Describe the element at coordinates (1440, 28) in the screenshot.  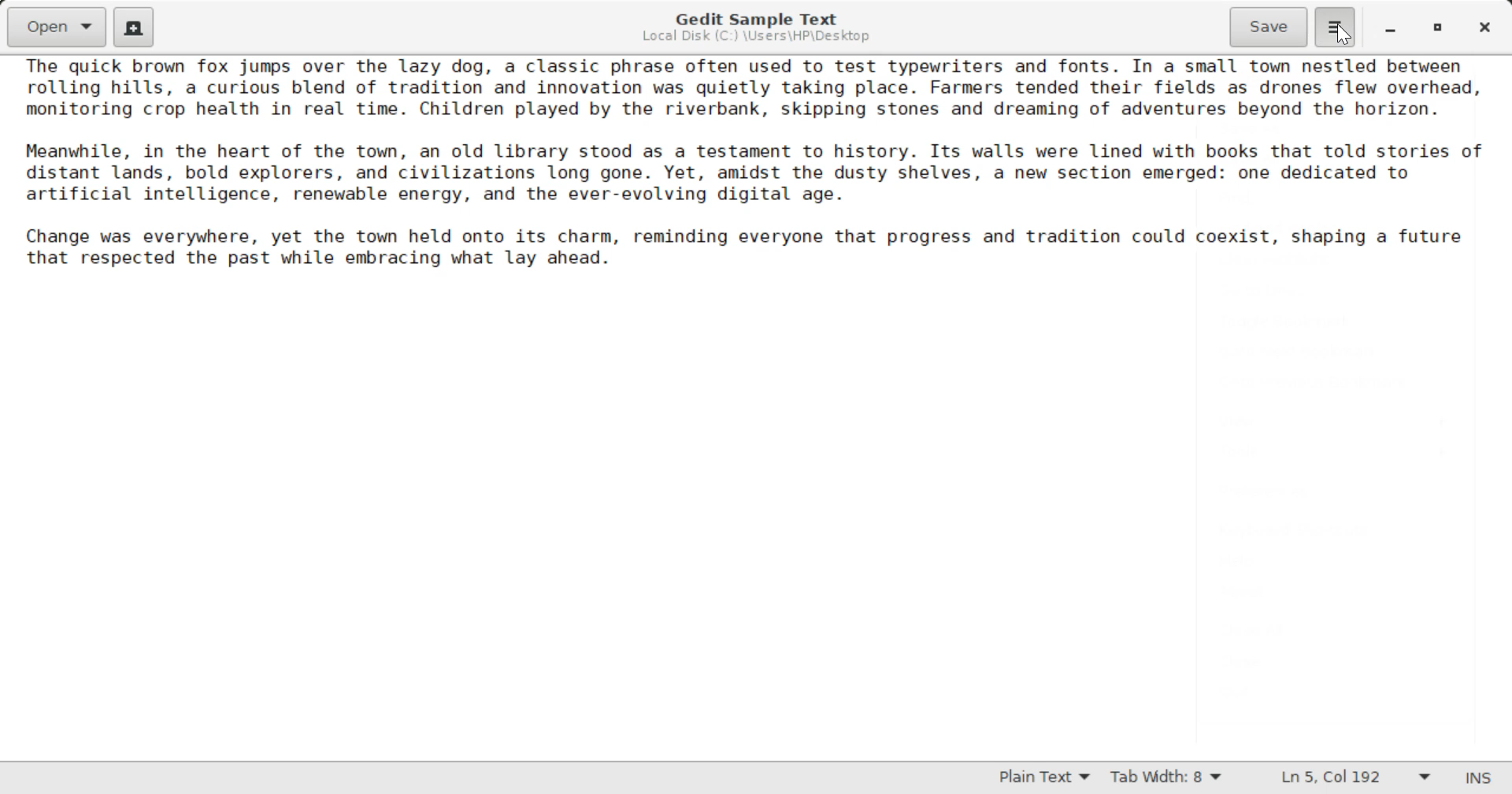
I see `Minimize` at that location.